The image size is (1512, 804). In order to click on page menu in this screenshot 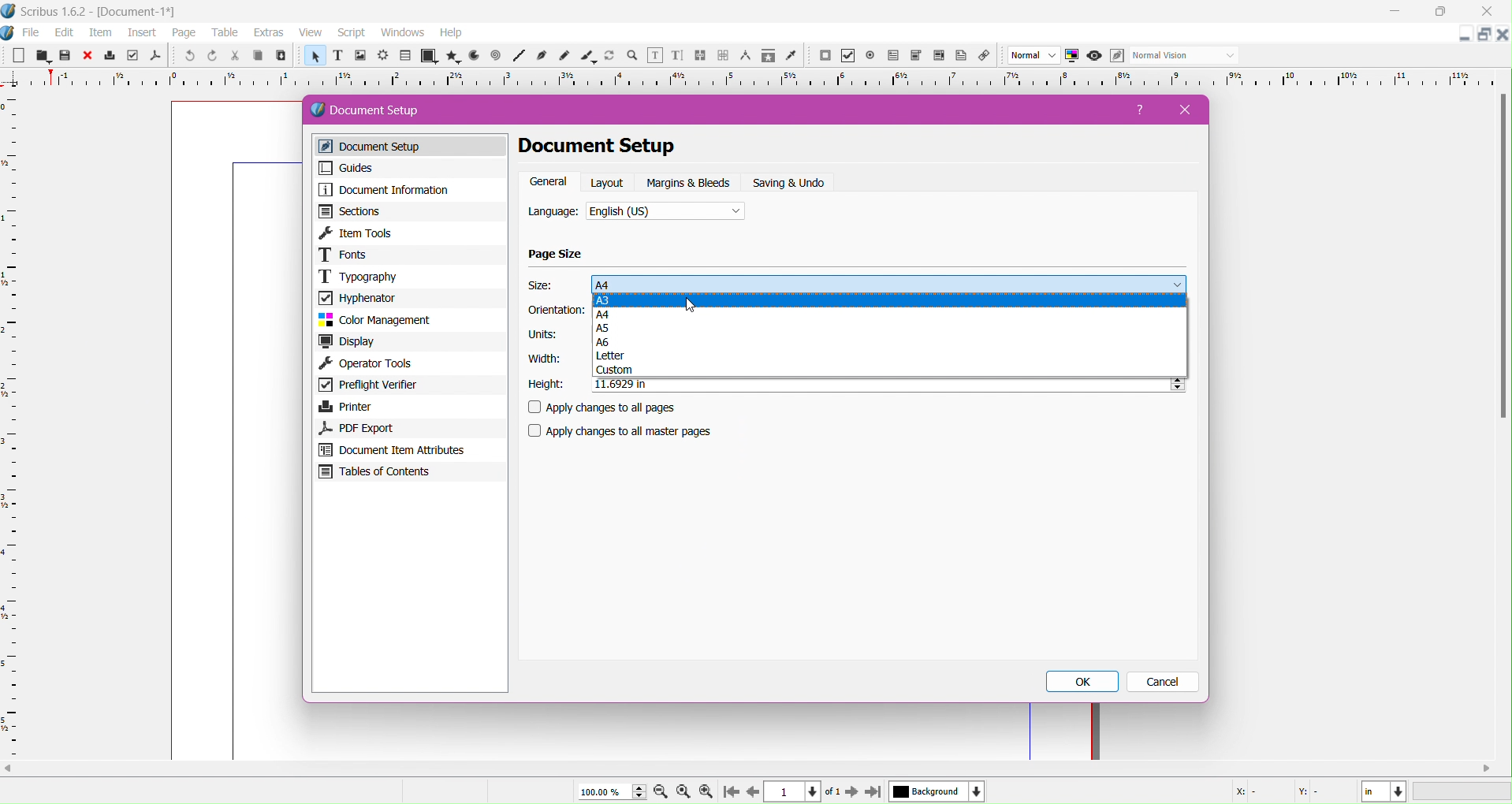, I will do `click(184, 34)`.